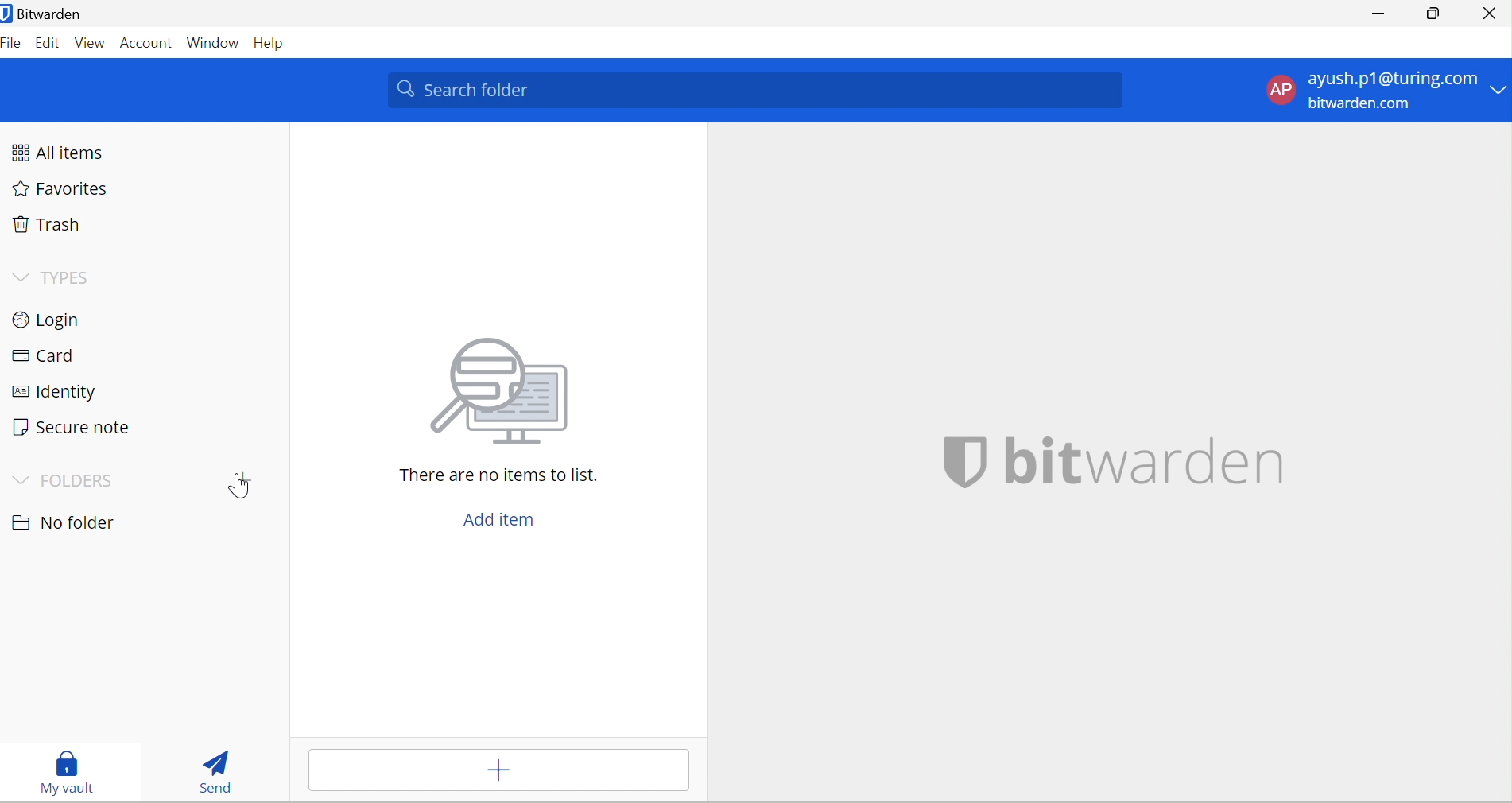  I want to click on All items, so click(66, 151).